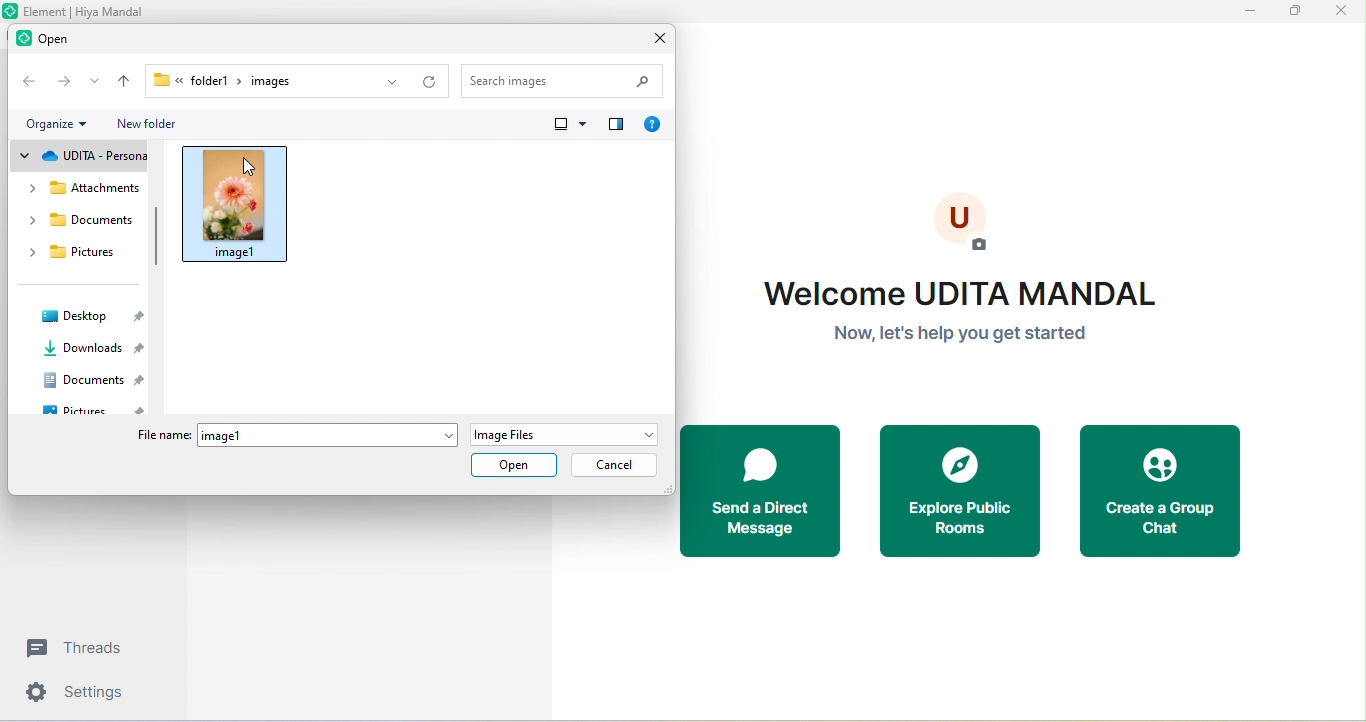 This screenshot has height=722, width=1366. What do you see at coordinates (250, 168) in the screenshot?
I see `cursor movement` at bounding box center [250, 168].